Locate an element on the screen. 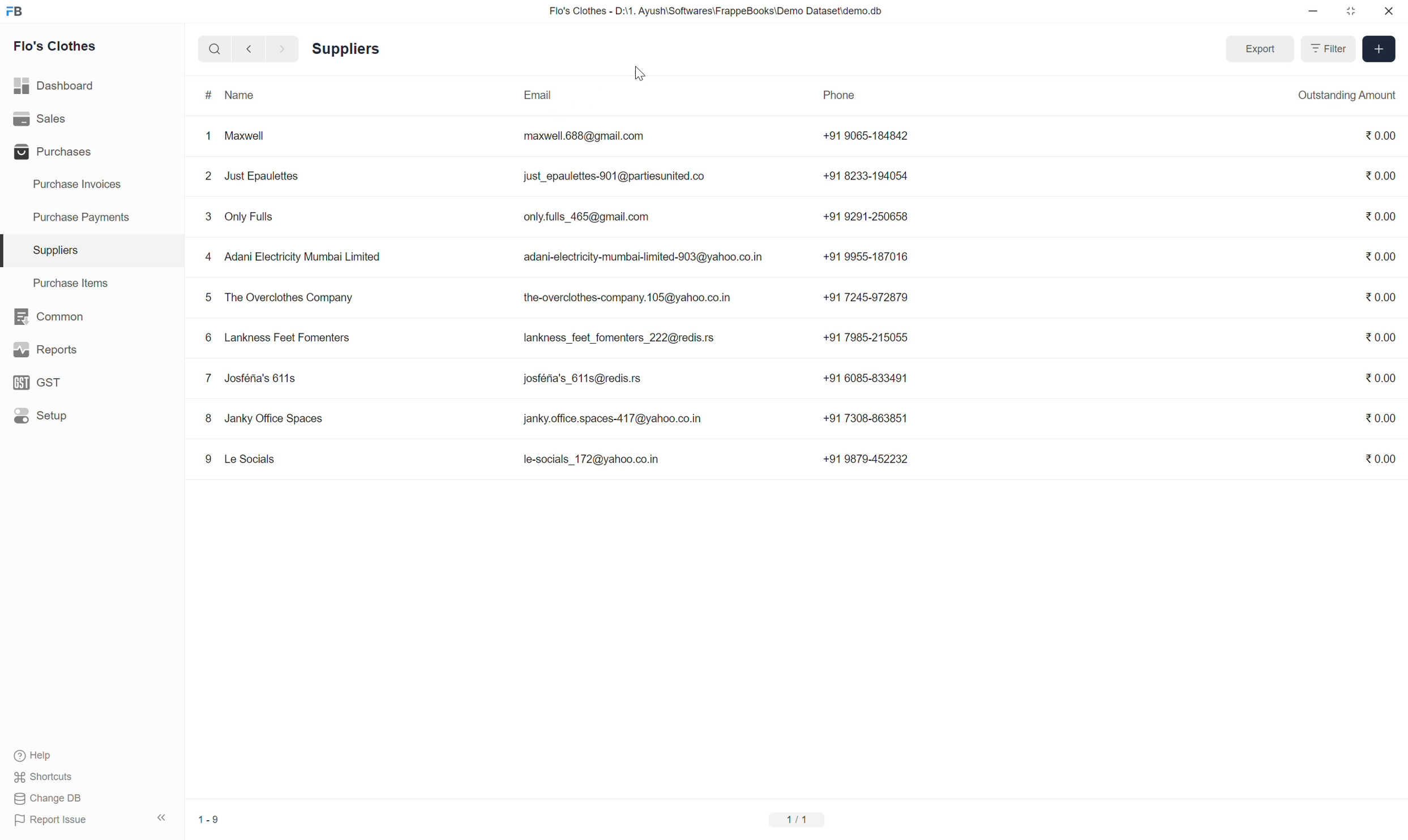 The width and height of the screenshot is (1408, 840). +91 9879-452232 is located at coordinates (866, 458).